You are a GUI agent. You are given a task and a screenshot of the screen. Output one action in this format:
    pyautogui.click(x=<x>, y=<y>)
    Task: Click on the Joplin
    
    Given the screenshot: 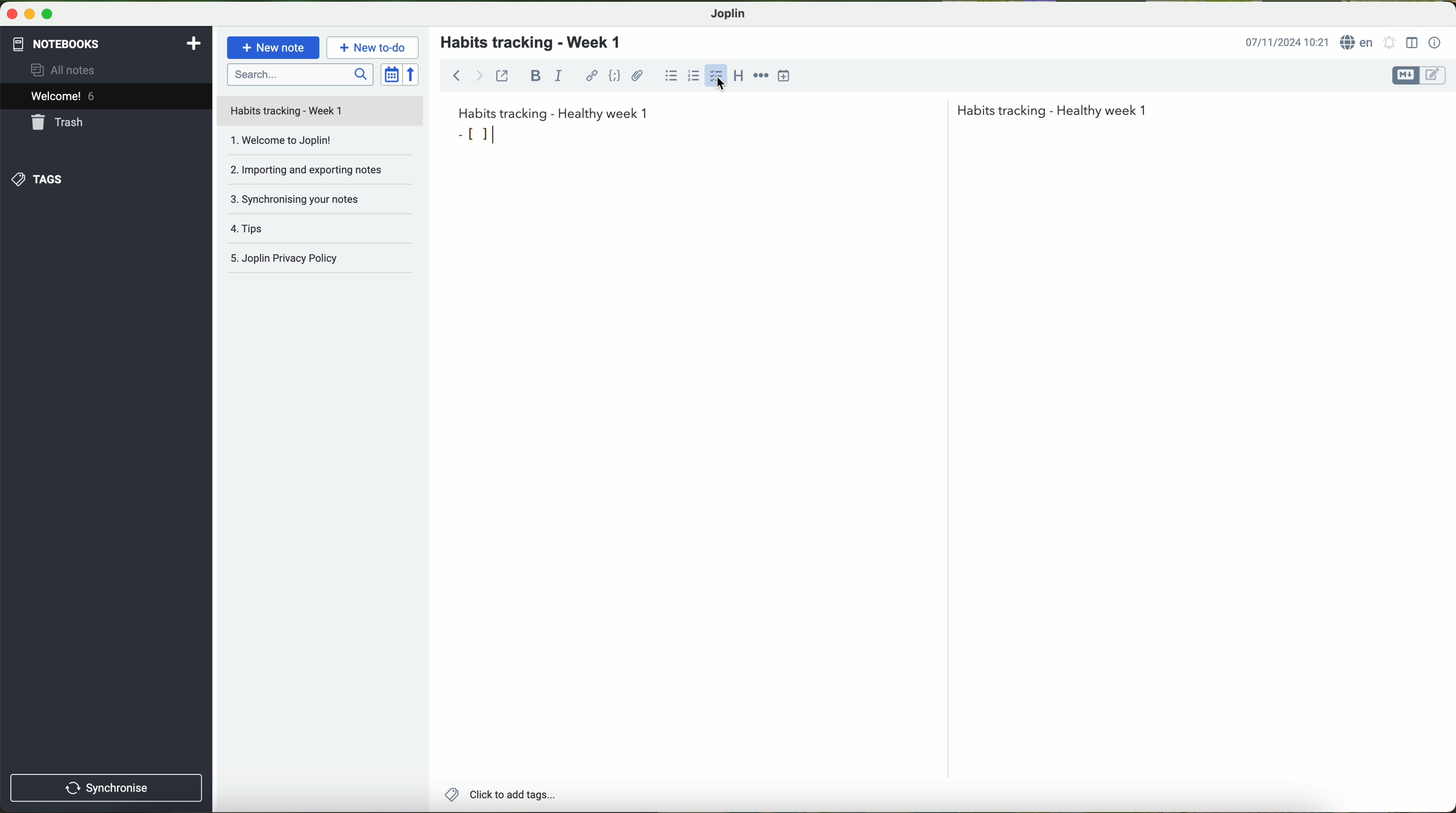 What is the action you would take?
    pyautogui.click(x=727, y=14)
    